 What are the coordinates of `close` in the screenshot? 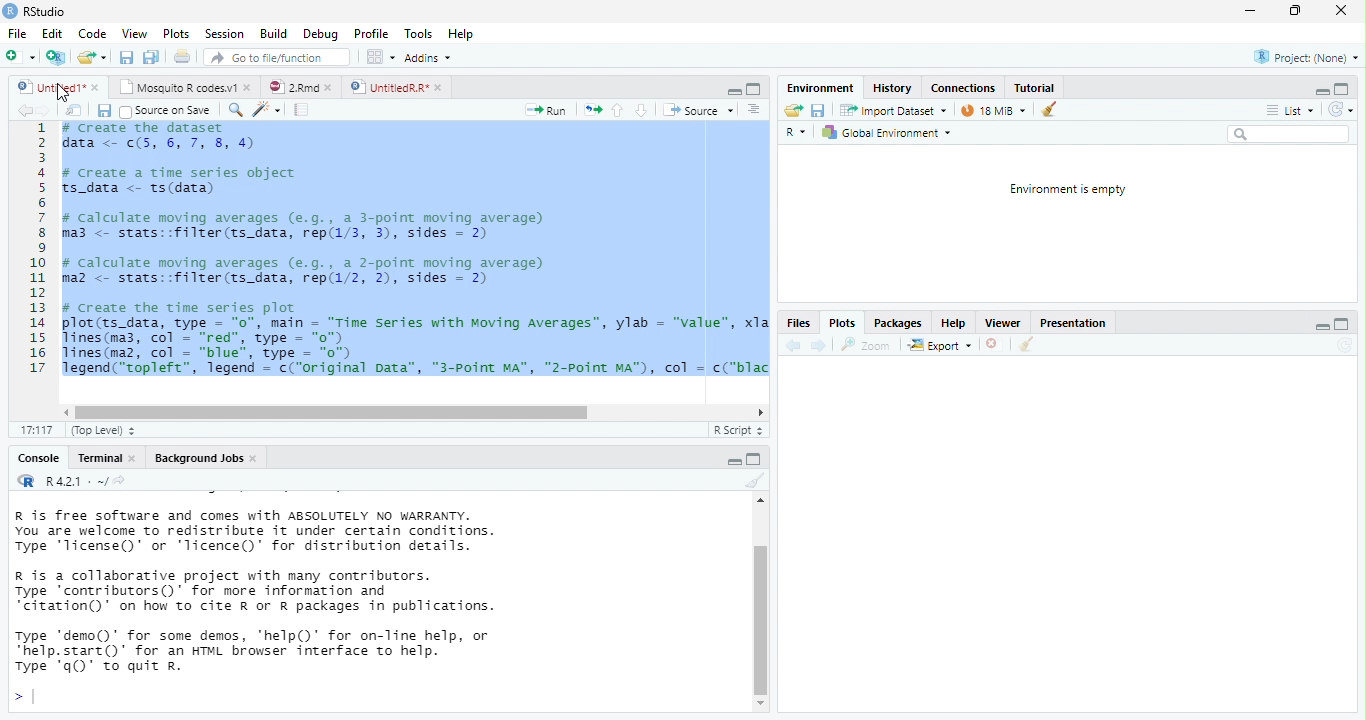 It's located at (136, 459).